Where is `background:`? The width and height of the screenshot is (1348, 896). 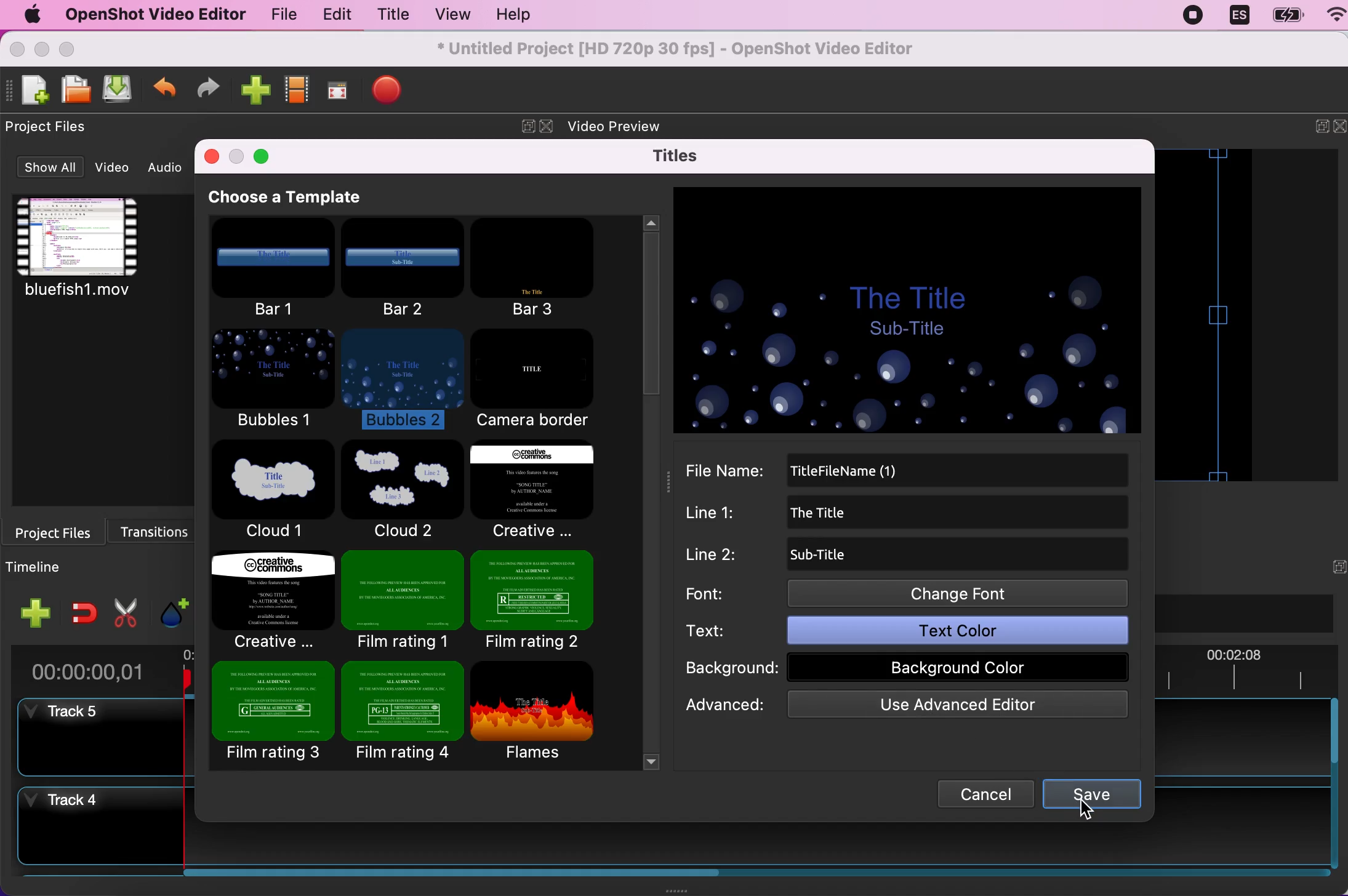 background: is located at coordinates (729, 669).